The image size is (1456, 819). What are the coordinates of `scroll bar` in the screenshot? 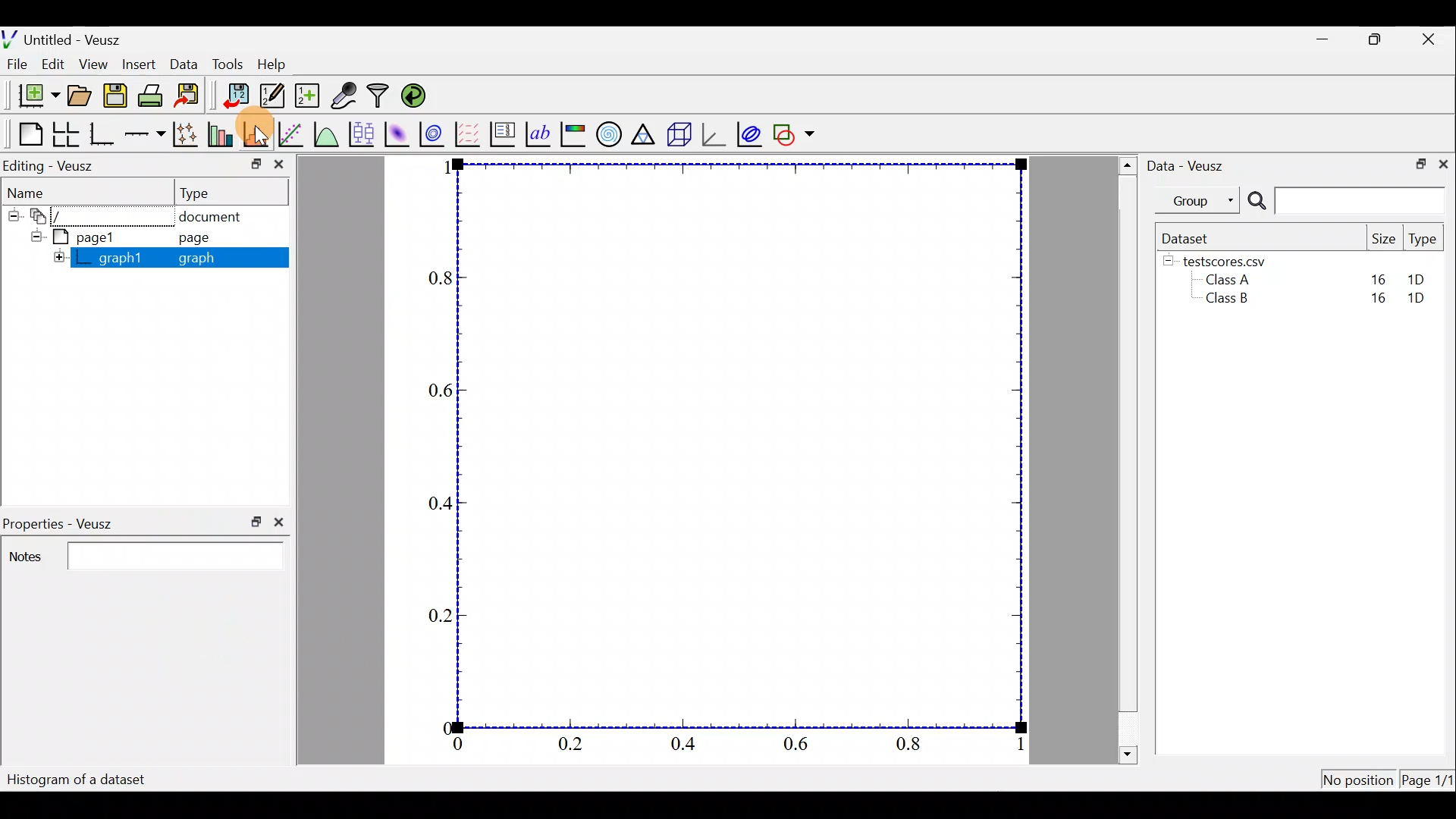 It's located at (1125, 460).